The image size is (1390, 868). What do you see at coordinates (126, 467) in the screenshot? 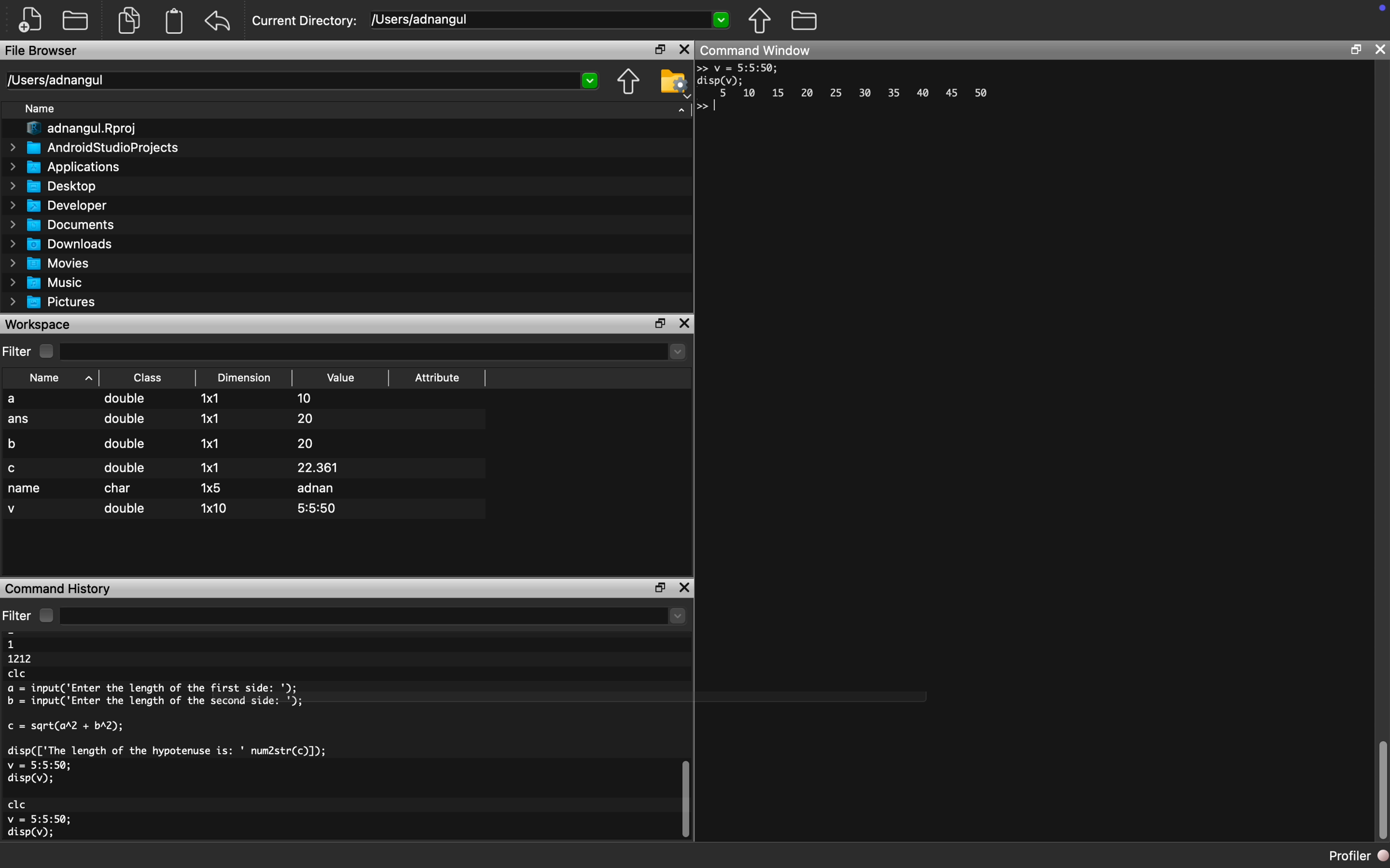
I see `double` at bounding box center [126, 467].